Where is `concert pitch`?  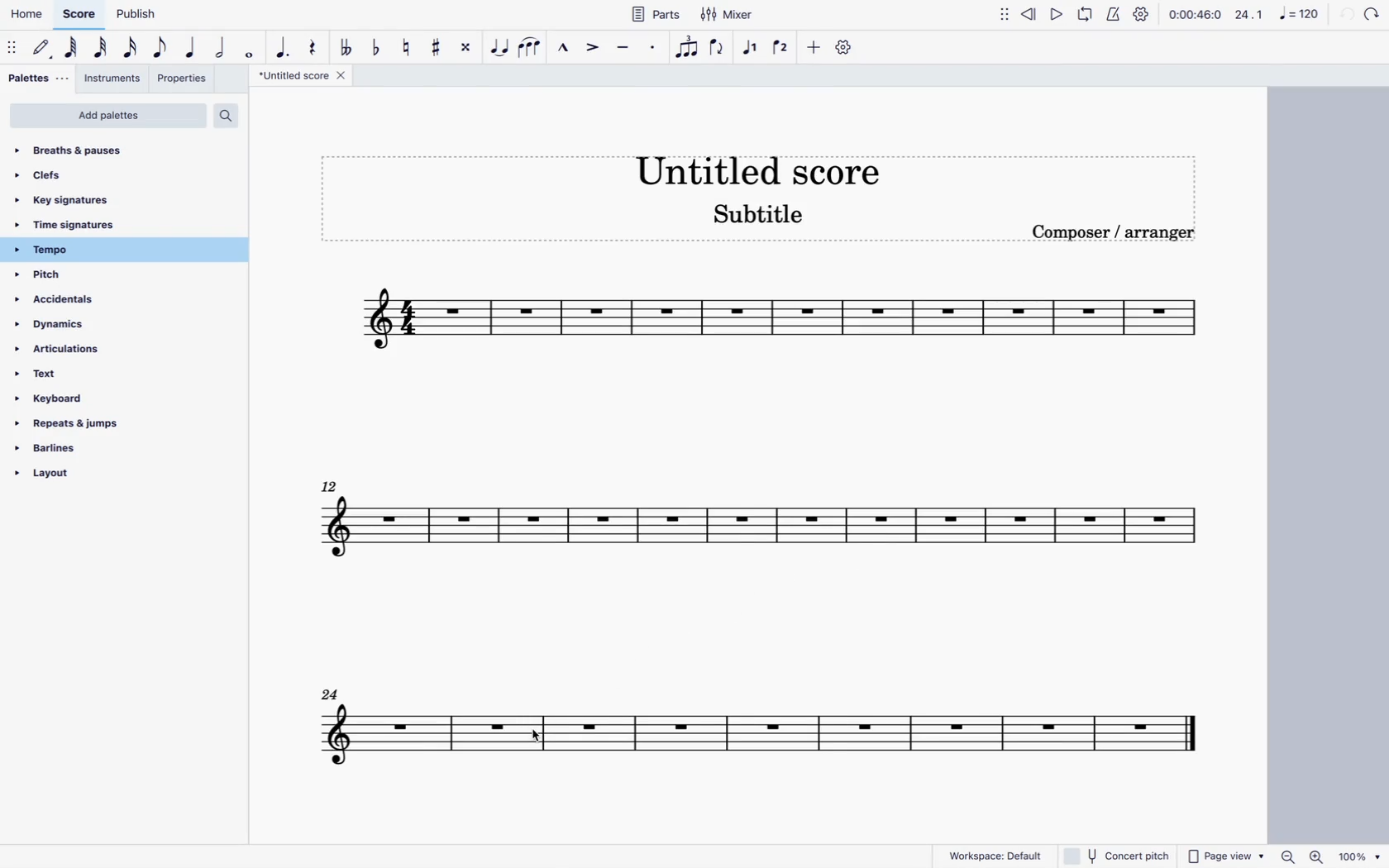 concert pitch is located at coordinates (1119, 856).